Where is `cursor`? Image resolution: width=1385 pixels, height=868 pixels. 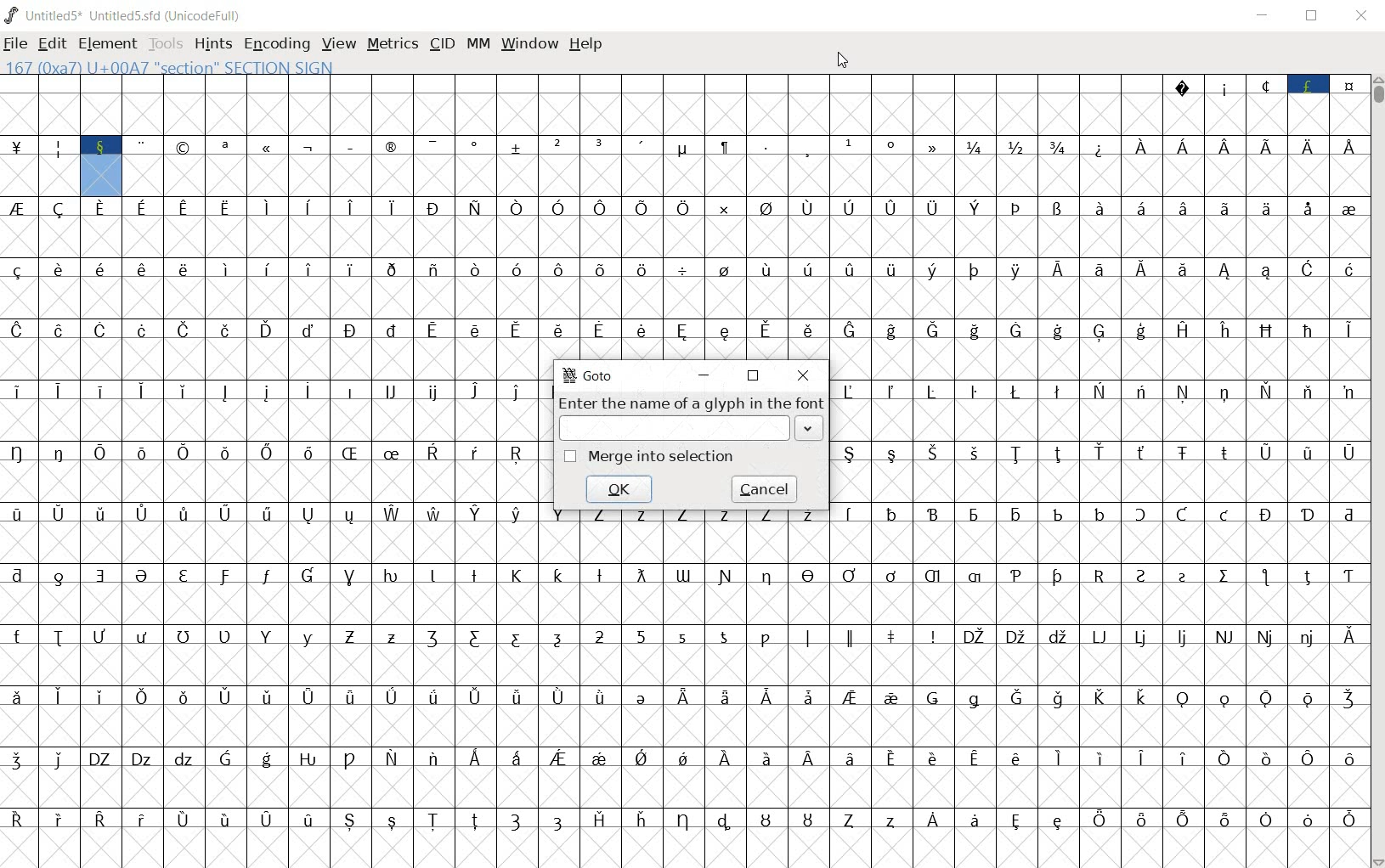 cursor is located at coordinates (845, 61).